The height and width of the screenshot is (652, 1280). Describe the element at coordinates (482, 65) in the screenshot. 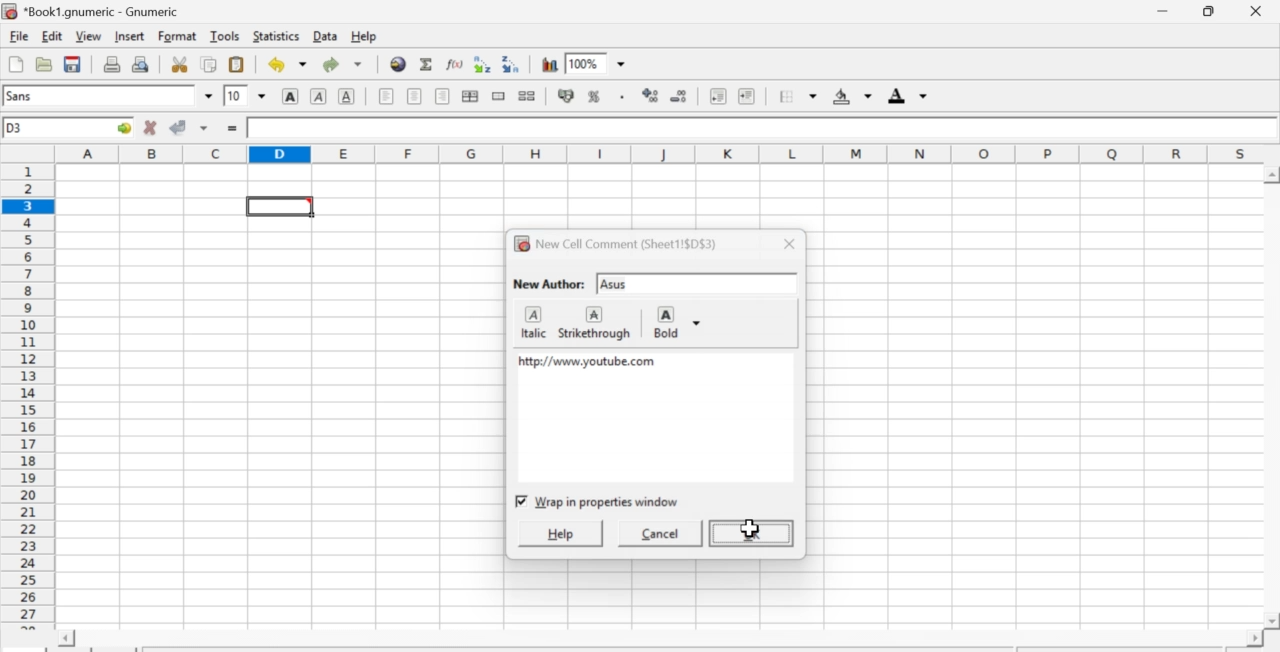

I see `Sort ascending` at that location.